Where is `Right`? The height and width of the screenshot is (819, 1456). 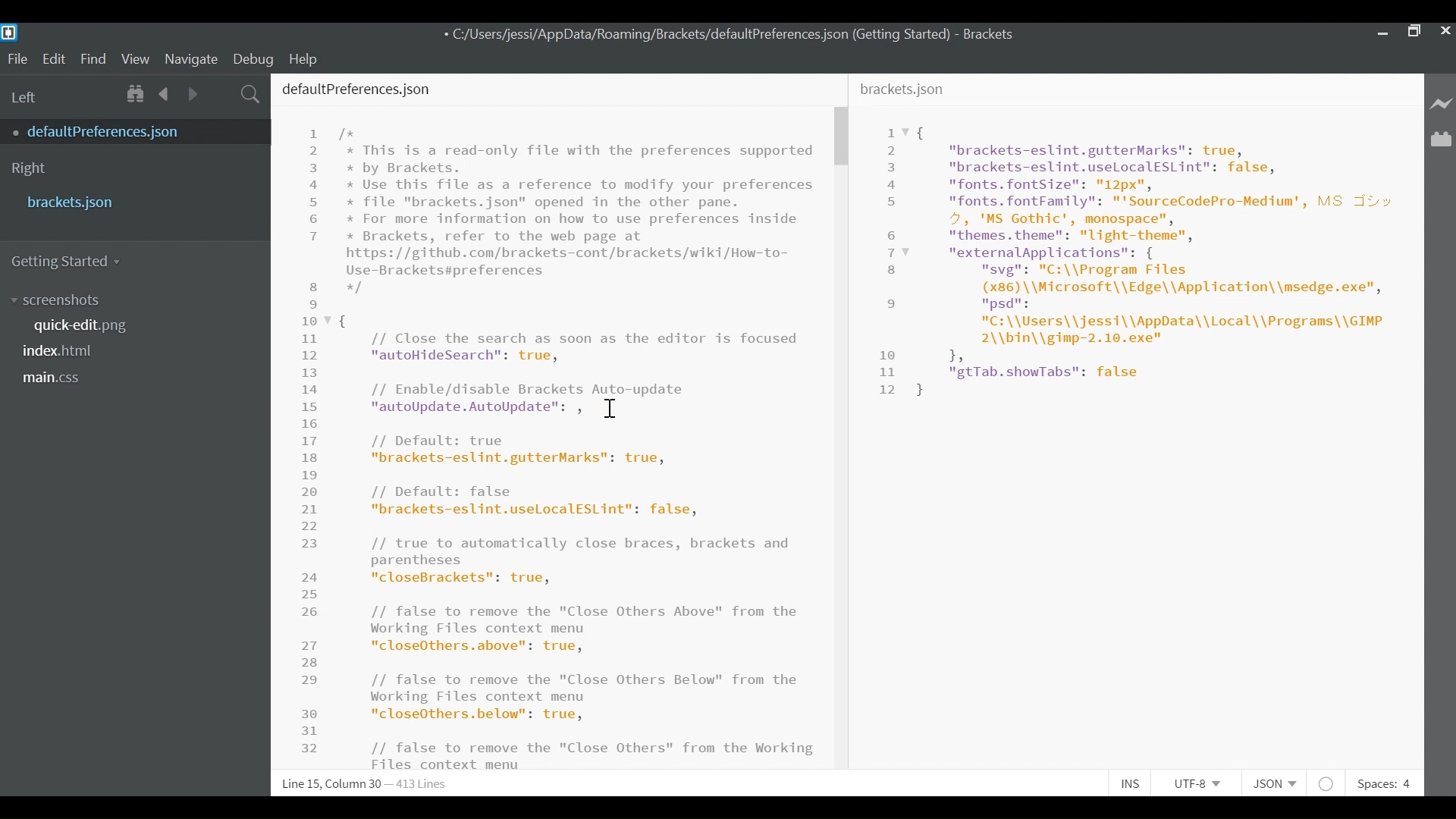
Right is located at coordinates (29, 169).